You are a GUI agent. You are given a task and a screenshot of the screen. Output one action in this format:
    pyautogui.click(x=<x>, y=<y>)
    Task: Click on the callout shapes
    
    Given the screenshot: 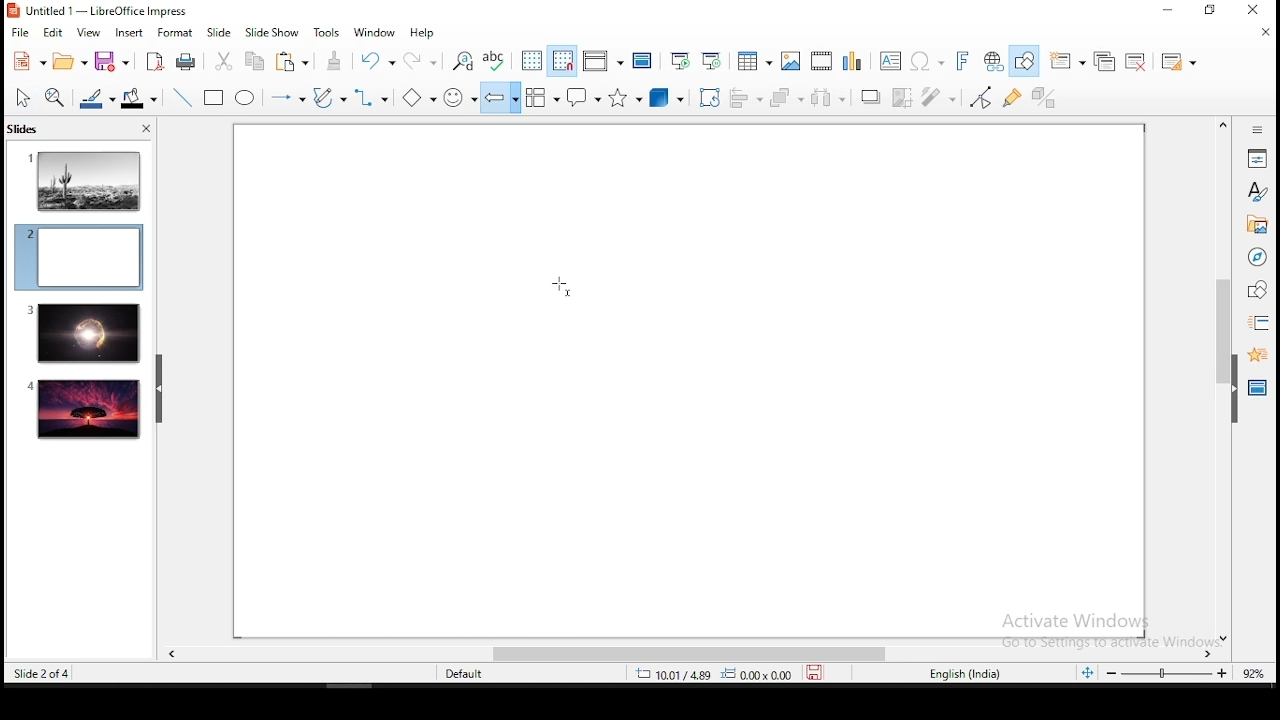 What is the action you would take?
    pyautogui.click(x=586, y=99)
    